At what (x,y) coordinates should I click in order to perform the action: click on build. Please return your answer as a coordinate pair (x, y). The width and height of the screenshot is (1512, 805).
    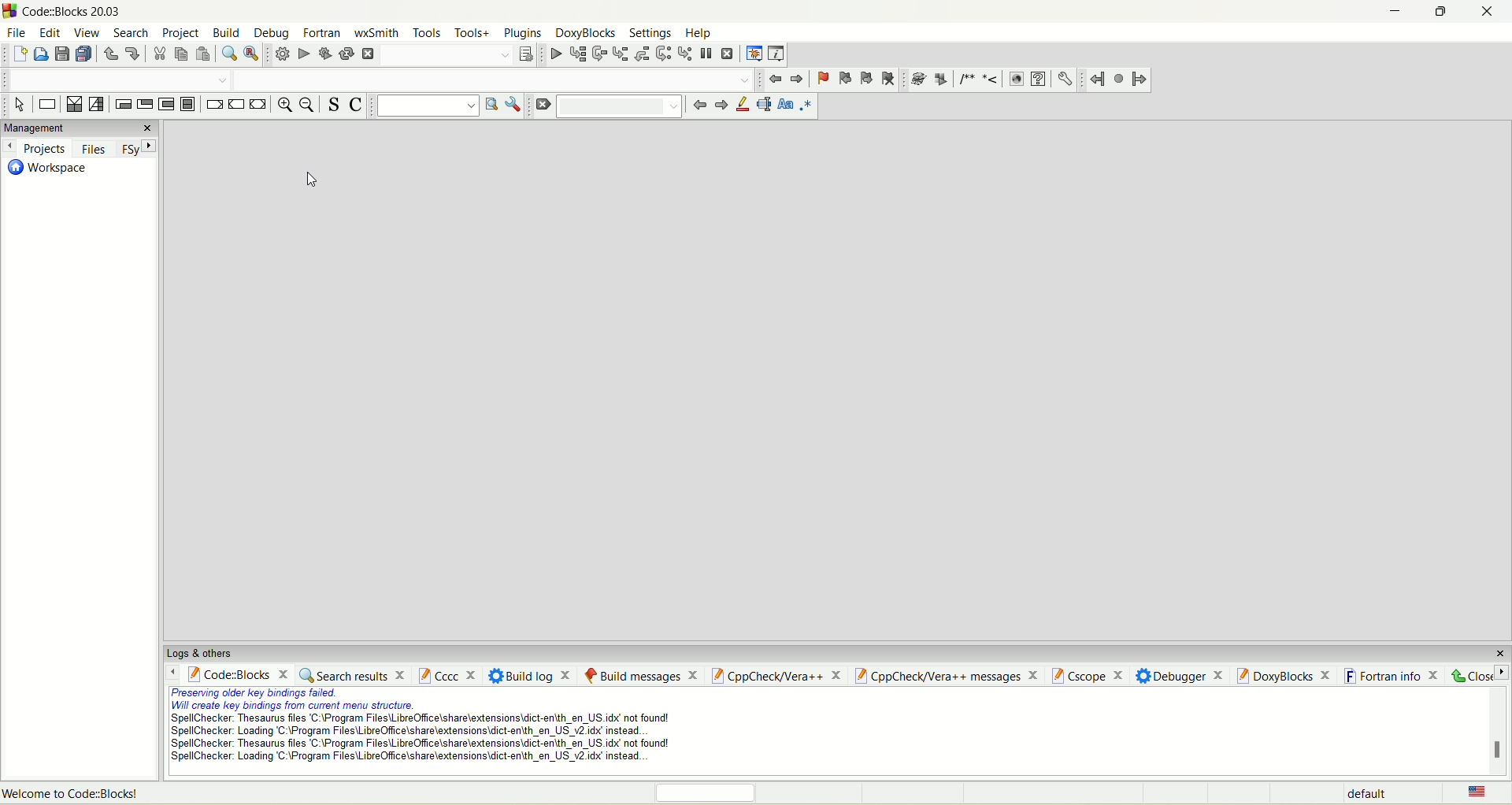
    Looking at the image, I should click on (226, 32).